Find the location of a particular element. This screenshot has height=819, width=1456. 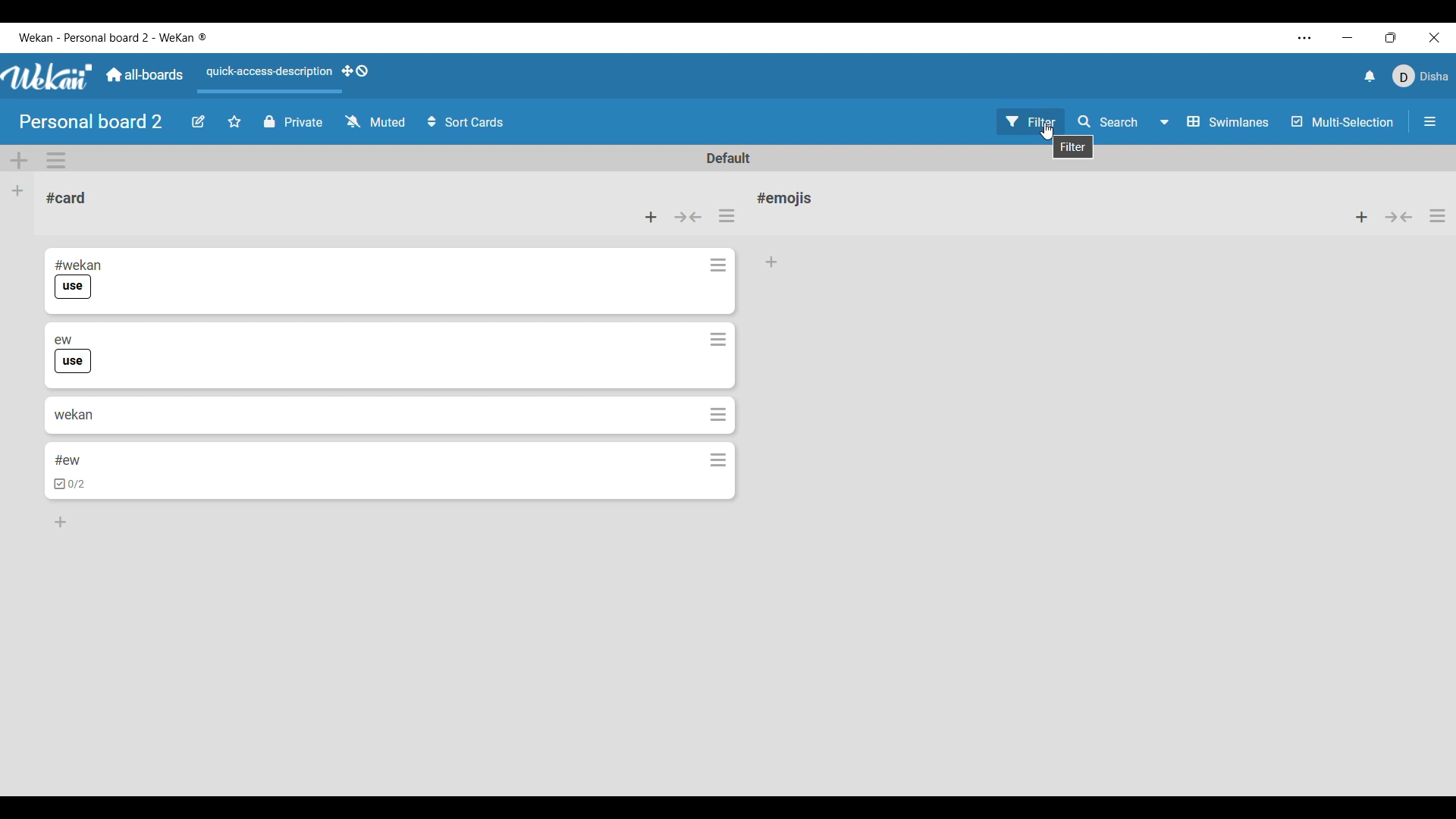

Show desktop drag handles is located at coordinates (355, 71).